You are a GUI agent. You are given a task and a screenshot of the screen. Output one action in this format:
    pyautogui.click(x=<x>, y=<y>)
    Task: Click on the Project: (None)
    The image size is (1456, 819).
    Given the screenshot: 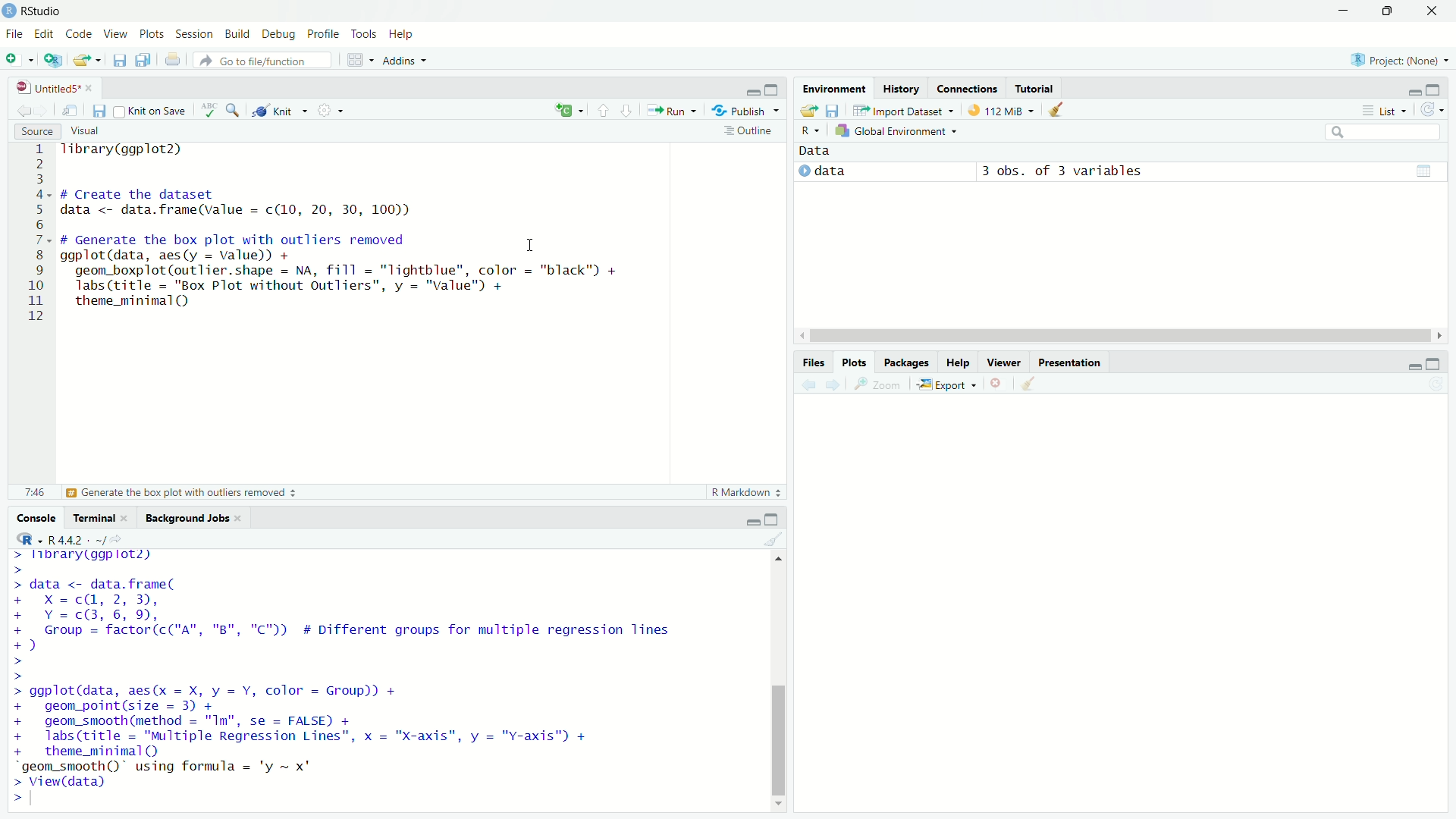 What is the action you would take?
    pyautogui.click(x=1401, y=61)
    